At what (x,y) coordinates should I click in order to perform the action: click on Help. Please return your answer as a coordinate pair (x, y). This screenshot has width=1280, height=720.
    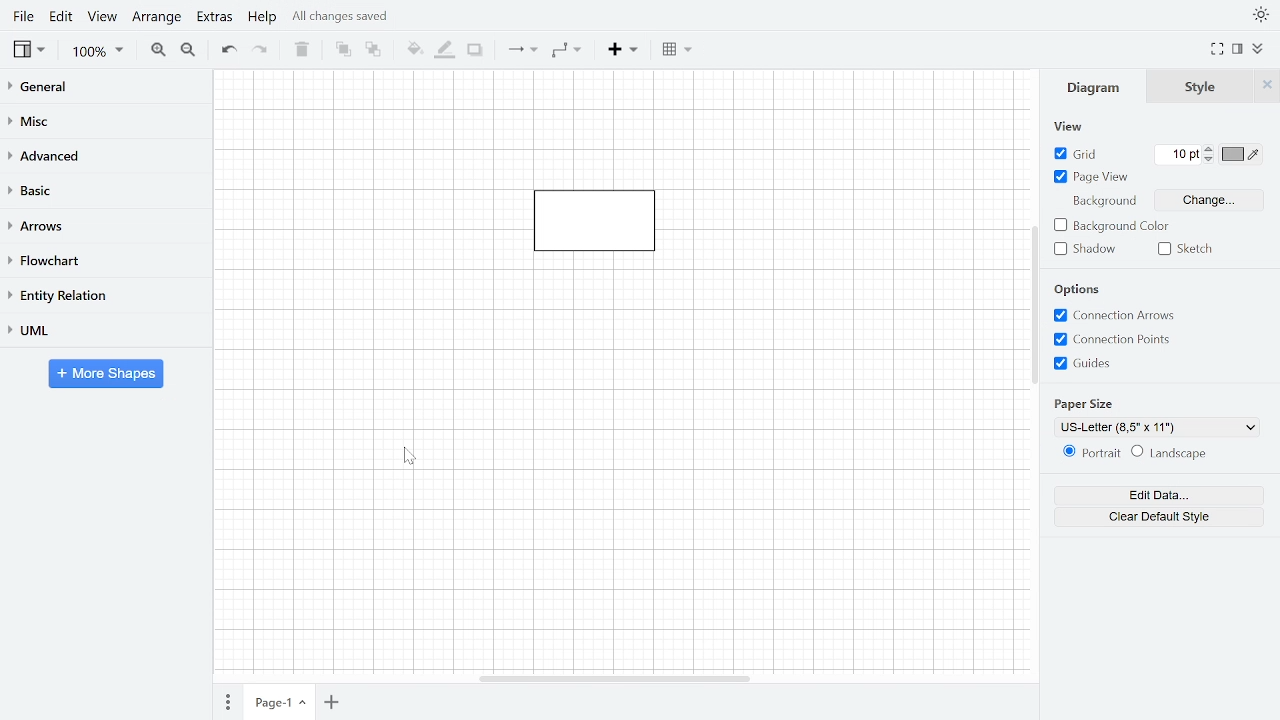
    Looking at the image, I should click on (262, 19).